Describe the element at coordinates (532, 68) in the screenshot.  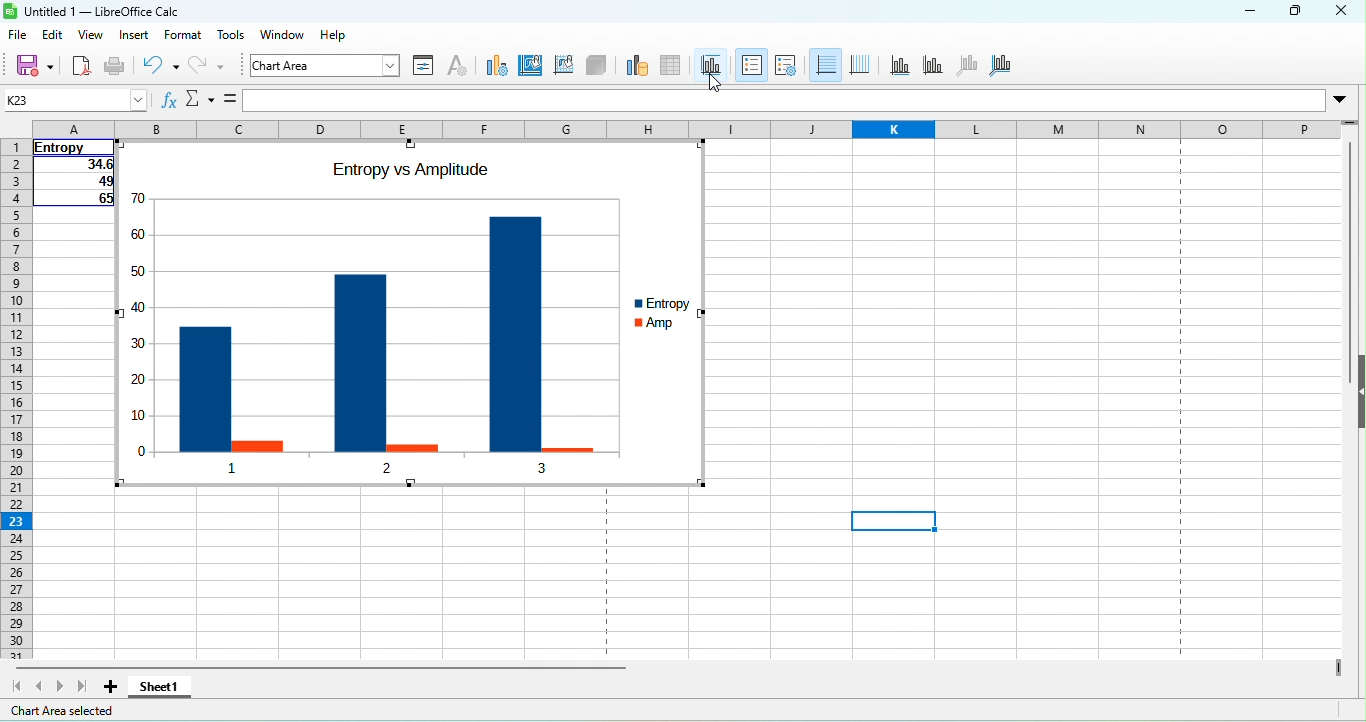
I see `chart area` at that location.